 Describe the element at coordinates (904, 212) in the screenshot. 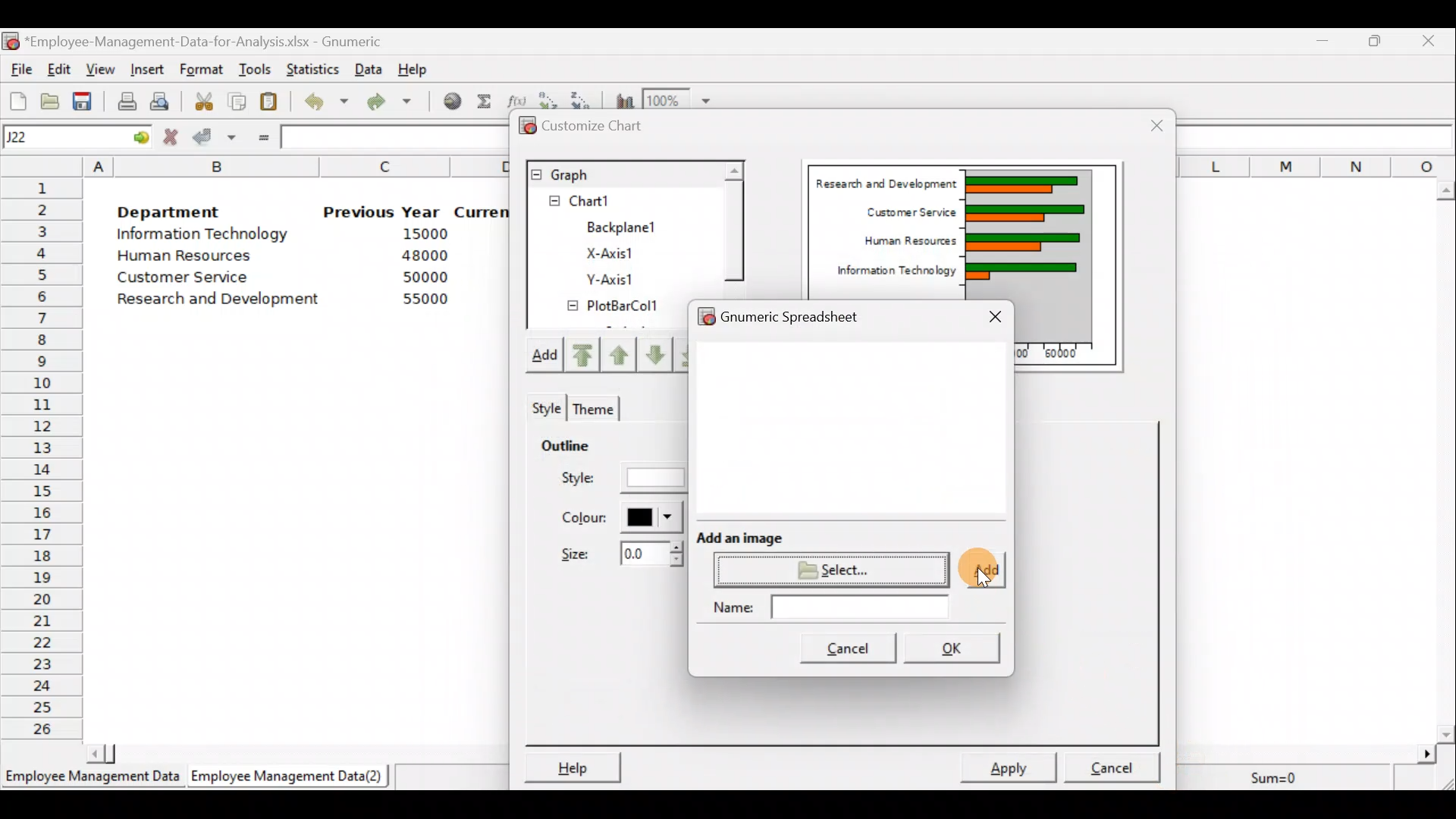

I see `Customer Service` at that location.